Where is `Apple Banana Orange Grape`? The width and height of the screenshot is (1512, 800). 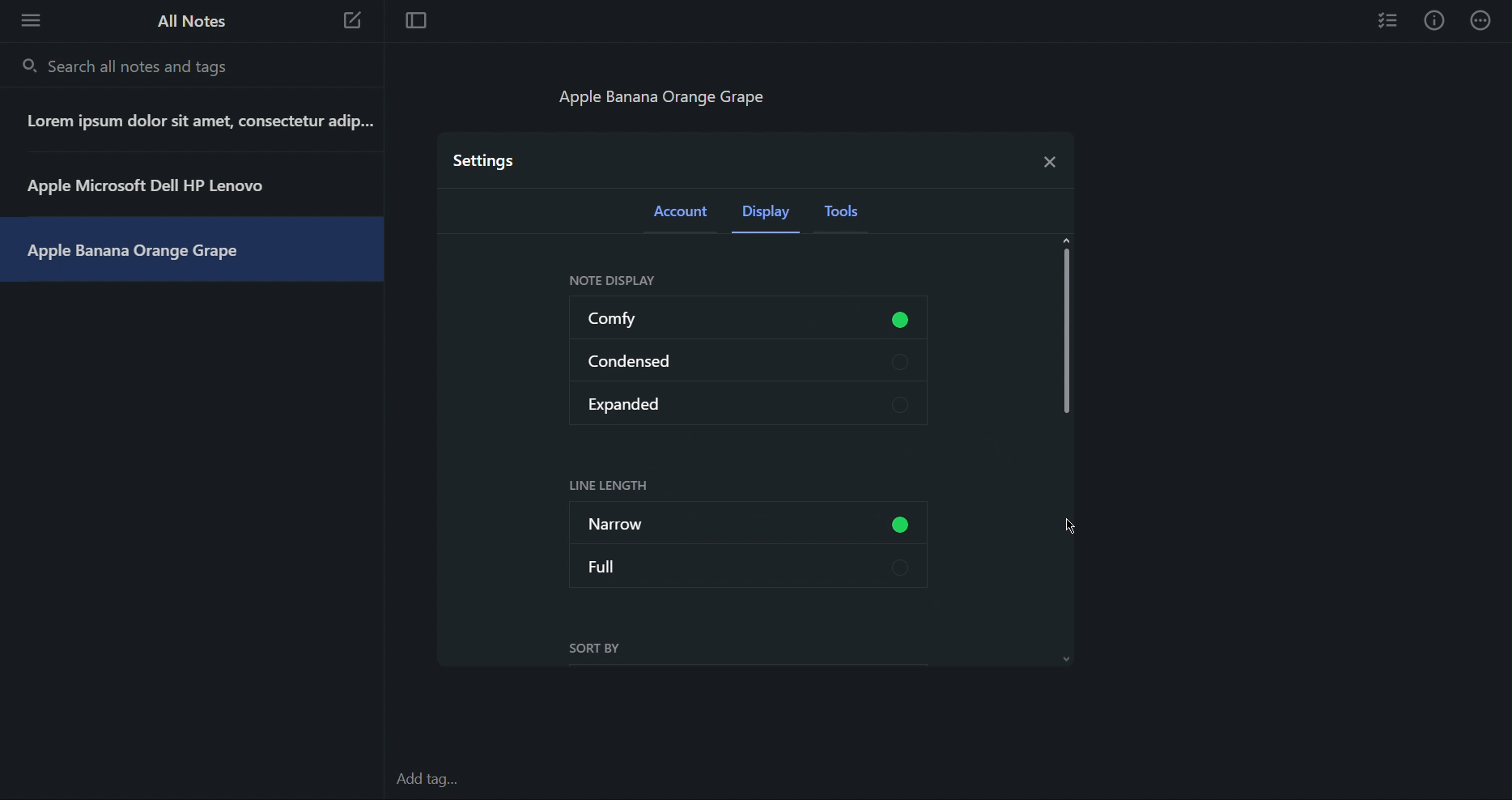
Apple Banana Orange Grape is located at coordinates (142, 249).